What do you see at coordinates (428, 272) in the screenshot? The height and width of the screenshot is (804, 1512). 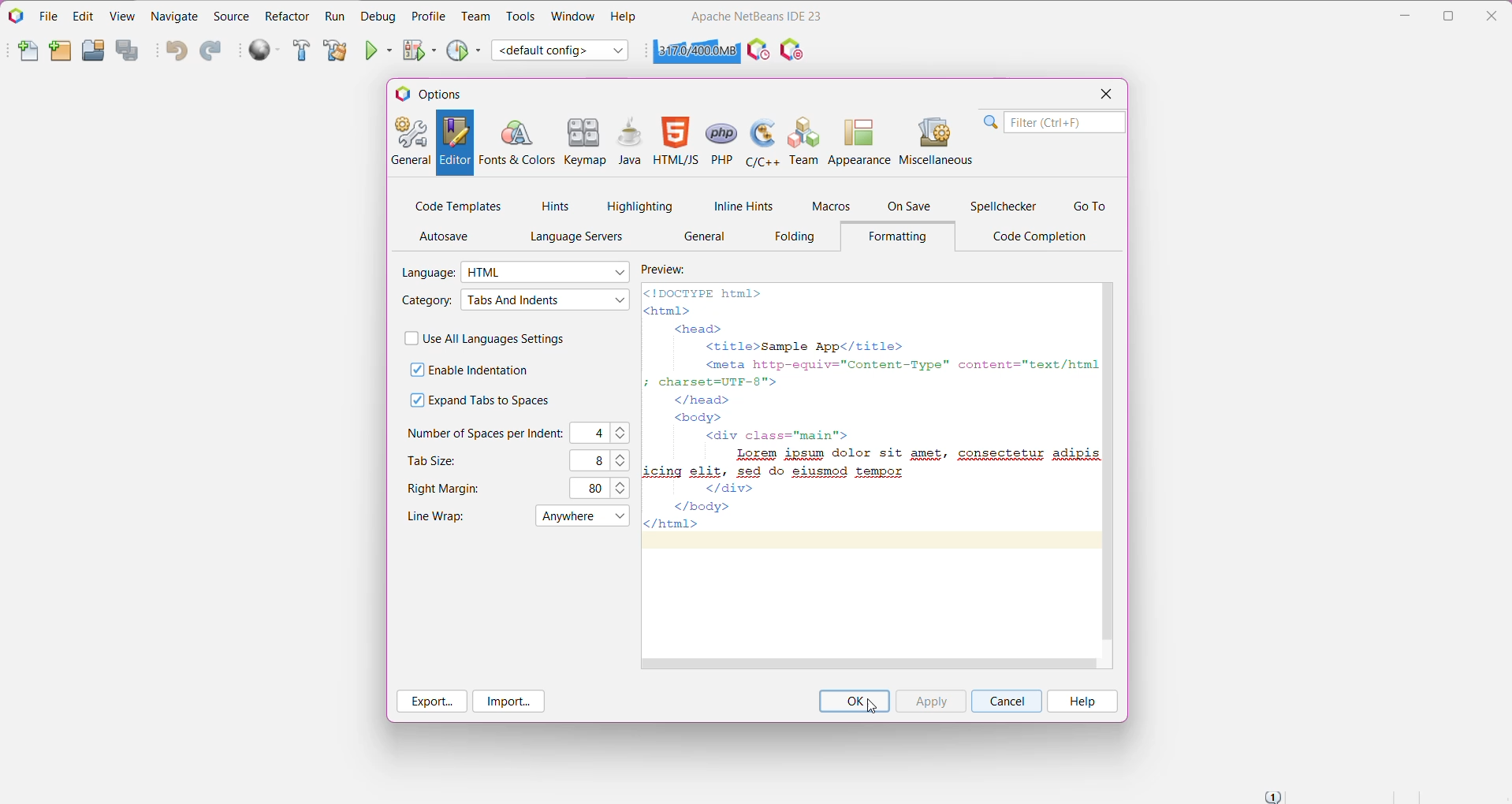 I see `Language` at bounding box center [428, 272].